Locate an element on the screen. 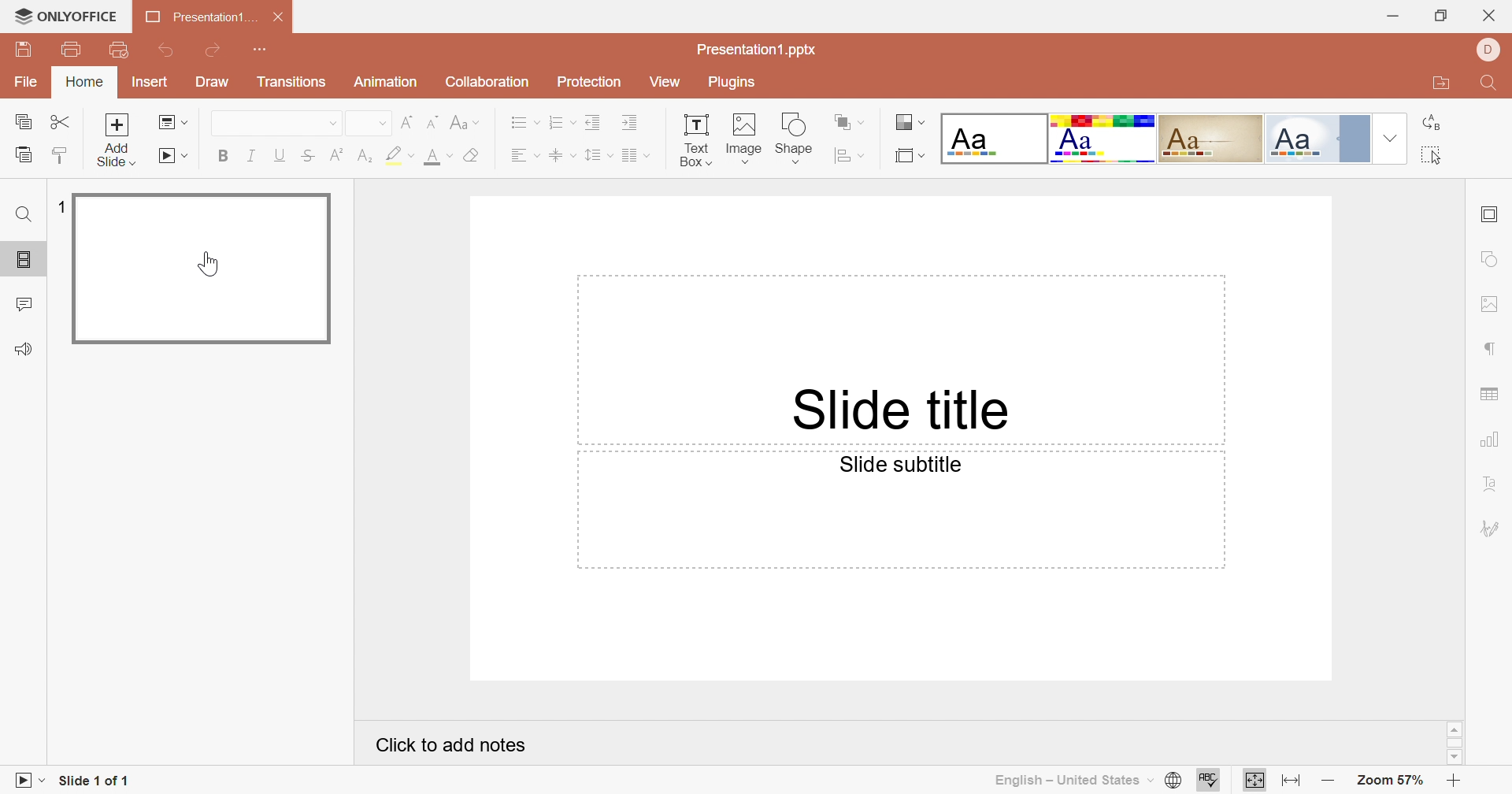 This screenshot has width=1512, height=794. Superscript is located at coordinates (337, 156).